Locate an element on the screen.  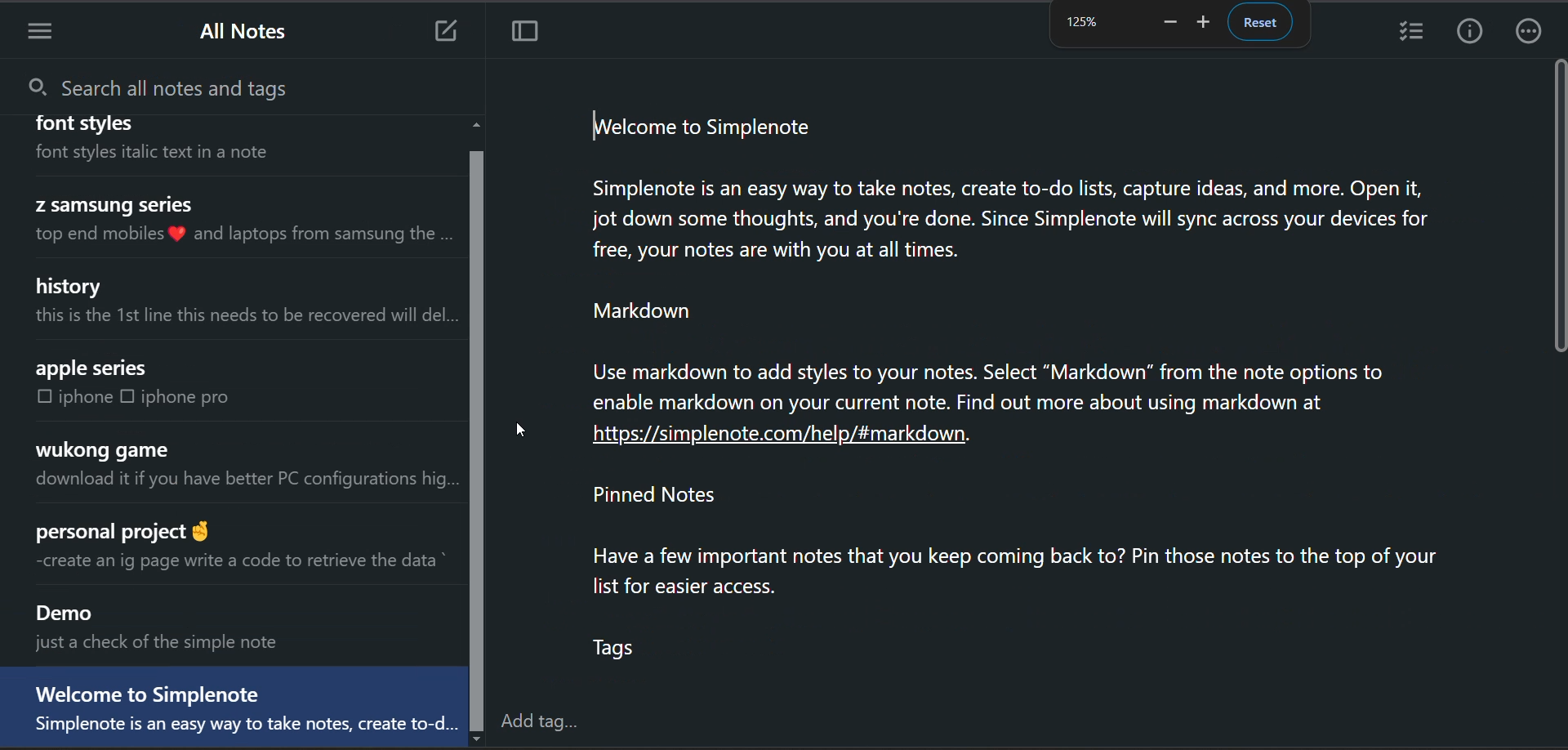
add tag is located at coordinates (545, 723).